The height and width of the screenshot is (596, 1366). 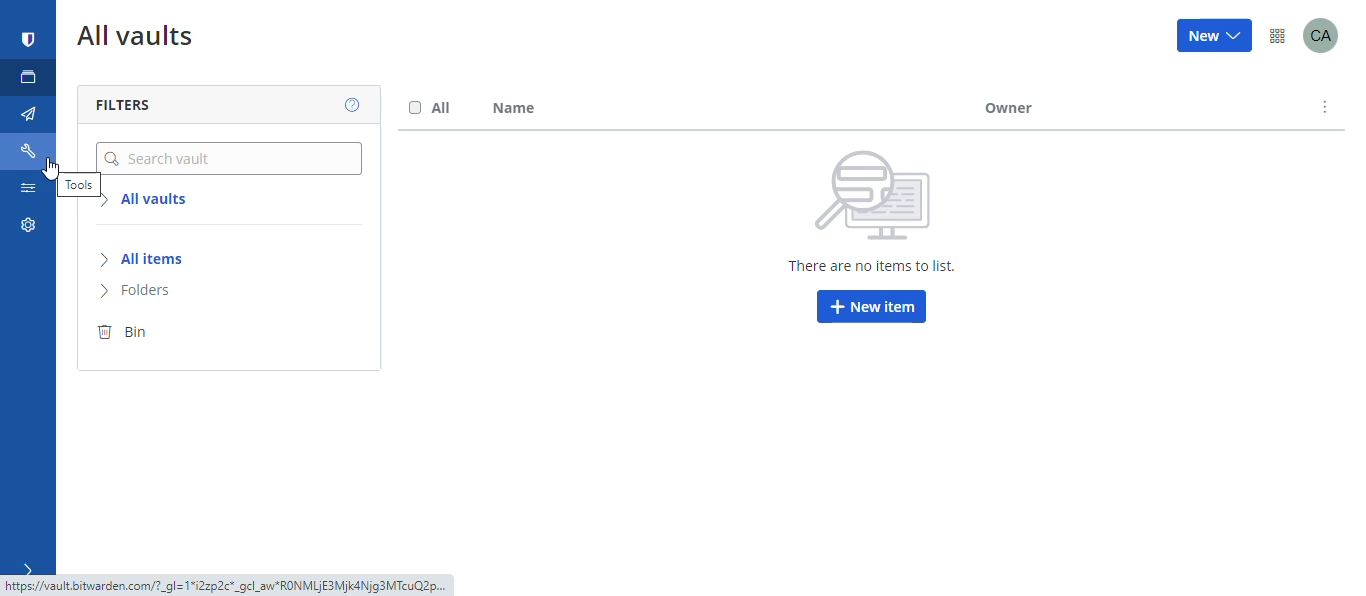 I want to click on search vault , so click(x=229, y=158).